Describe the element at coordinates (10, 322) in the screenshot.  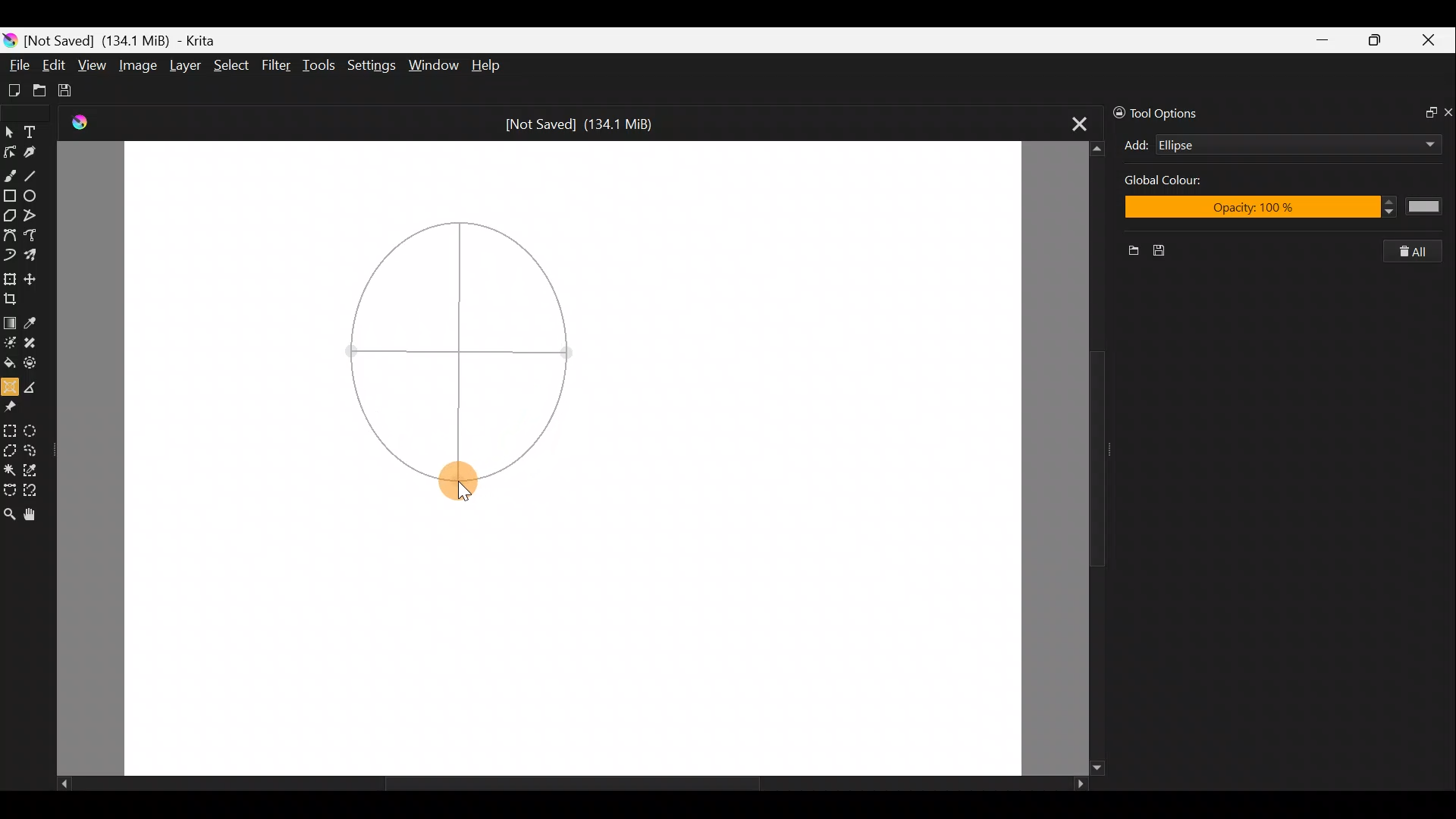
I see `Draw a gradient` at that location.